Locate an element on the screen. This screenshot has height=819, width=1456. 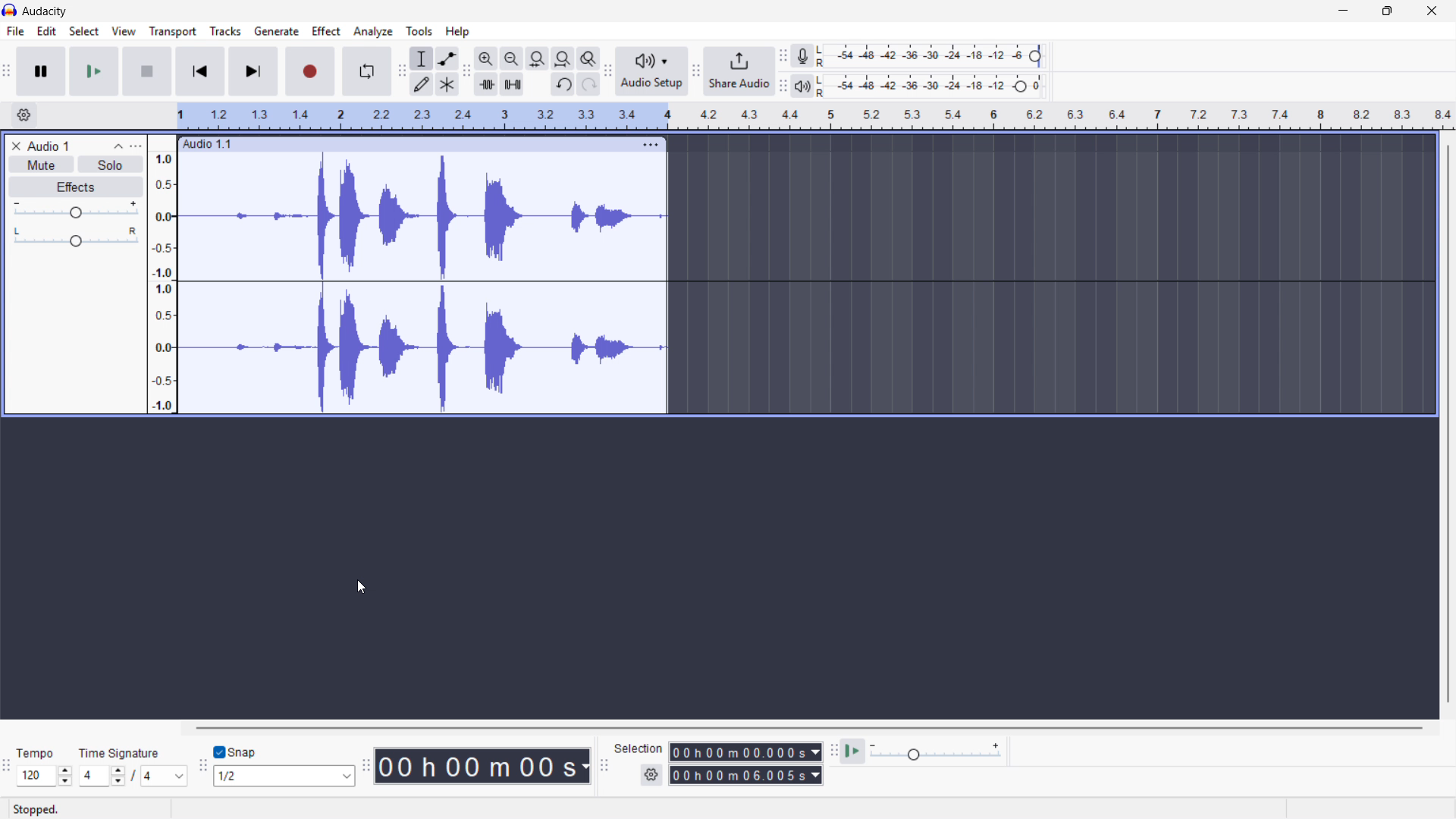
Stop  is located at coordinates (147, 71).